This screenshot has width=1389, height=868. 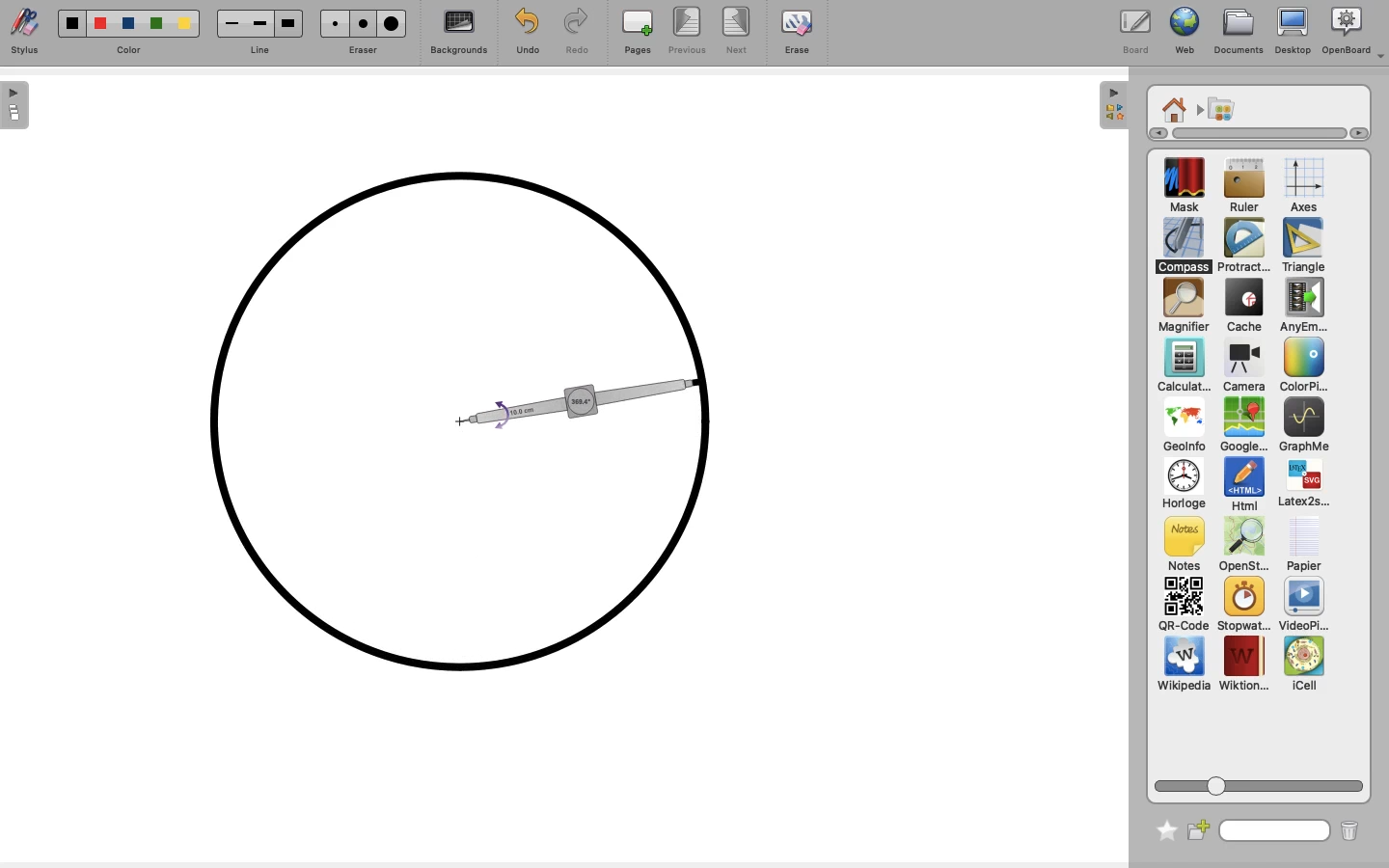 What do you see at coordinates (97, 22) in the screenshot?
I see `color2` at bounding box center [97, 22].